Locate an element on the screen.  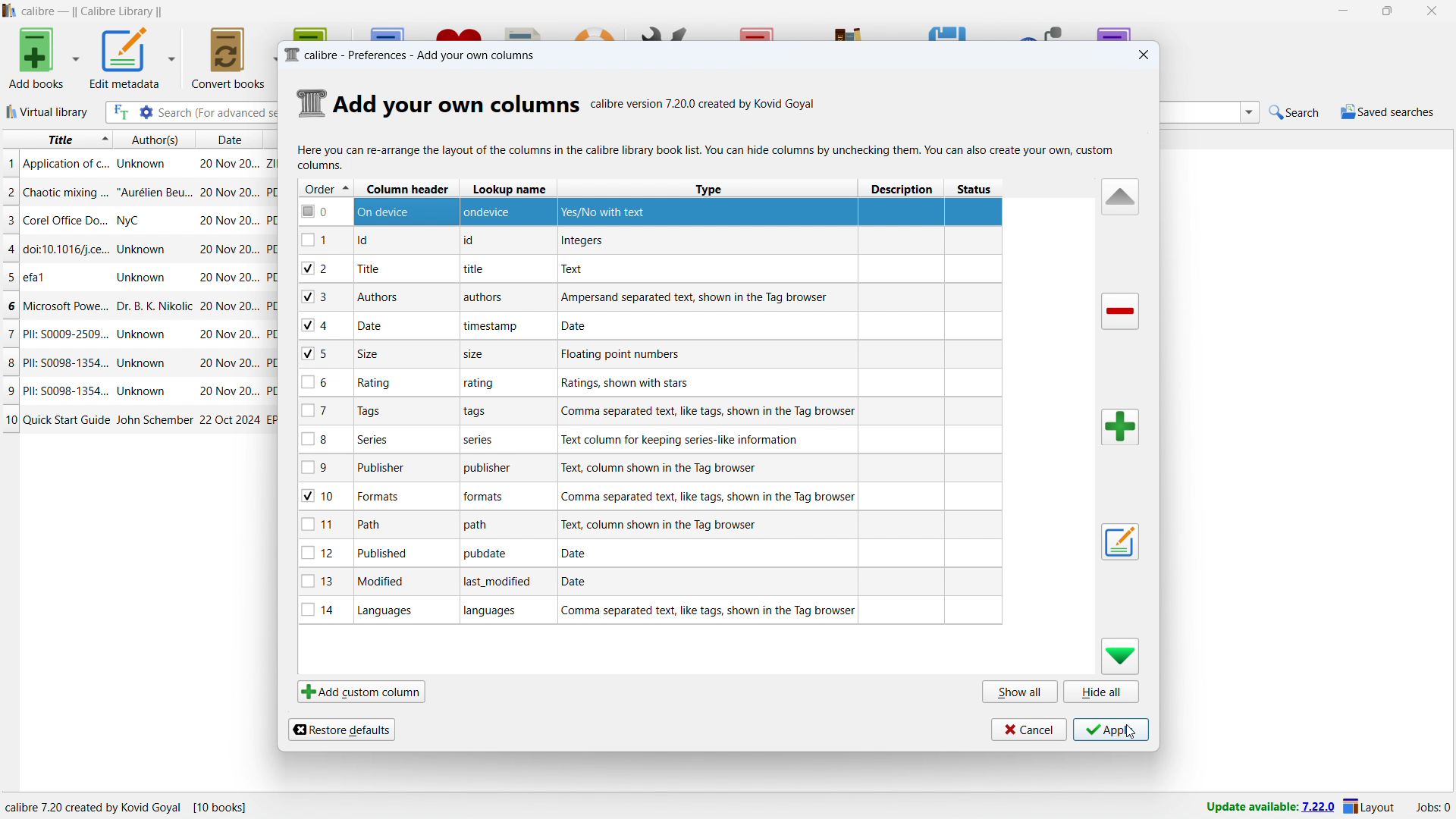
apply is located at coordinates (1110, 730).